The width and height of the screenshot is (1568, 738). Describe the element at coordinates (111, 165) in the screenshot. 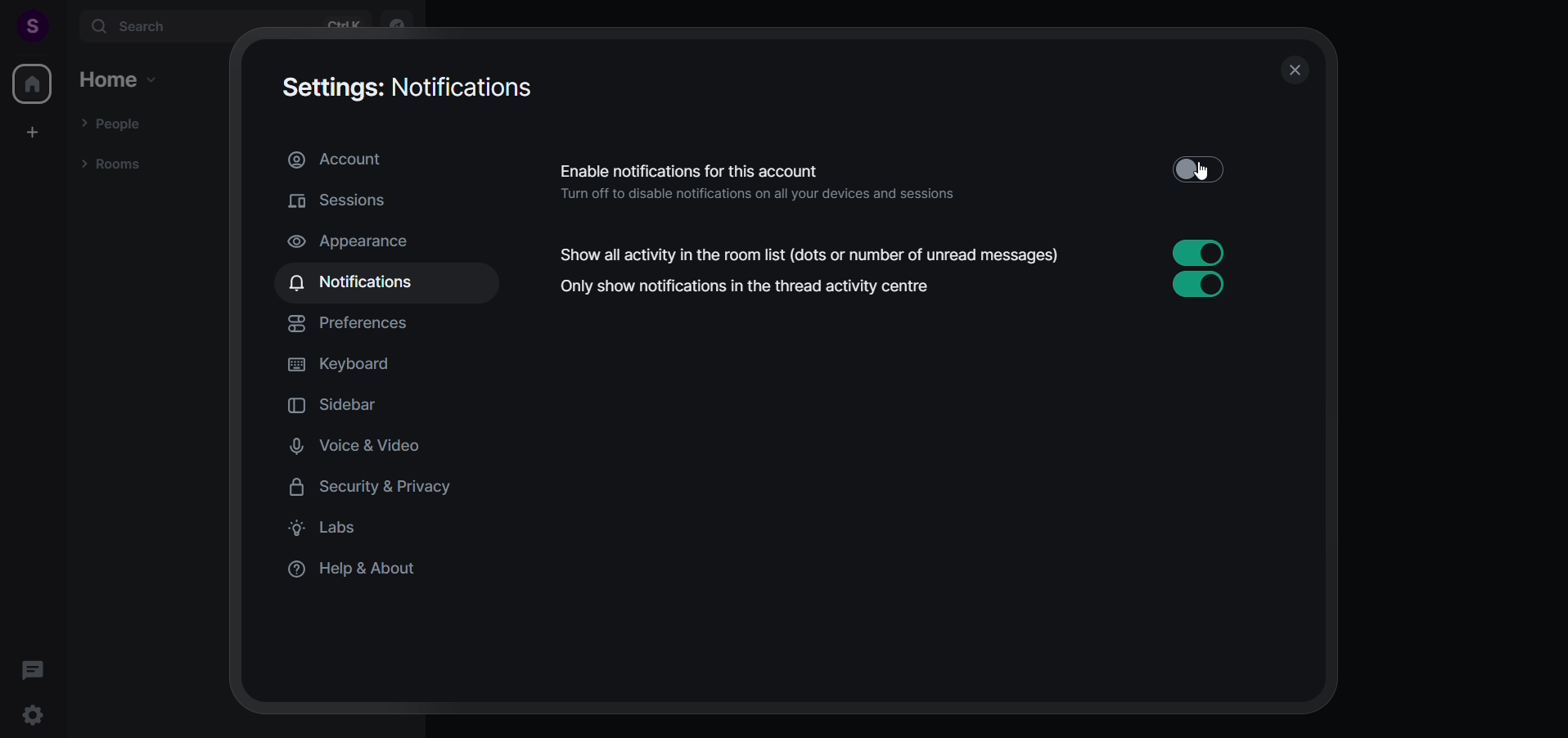

I see `room` at that location.